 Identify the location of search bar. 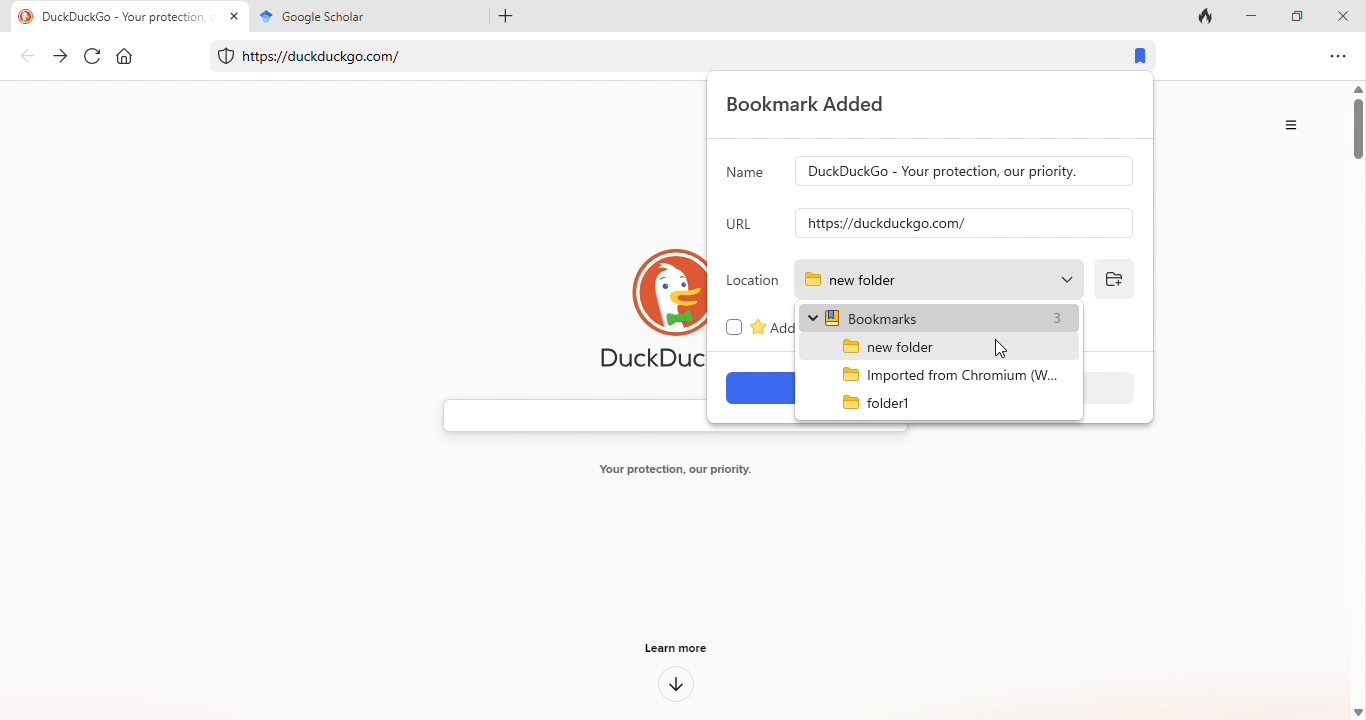
(569, 416).